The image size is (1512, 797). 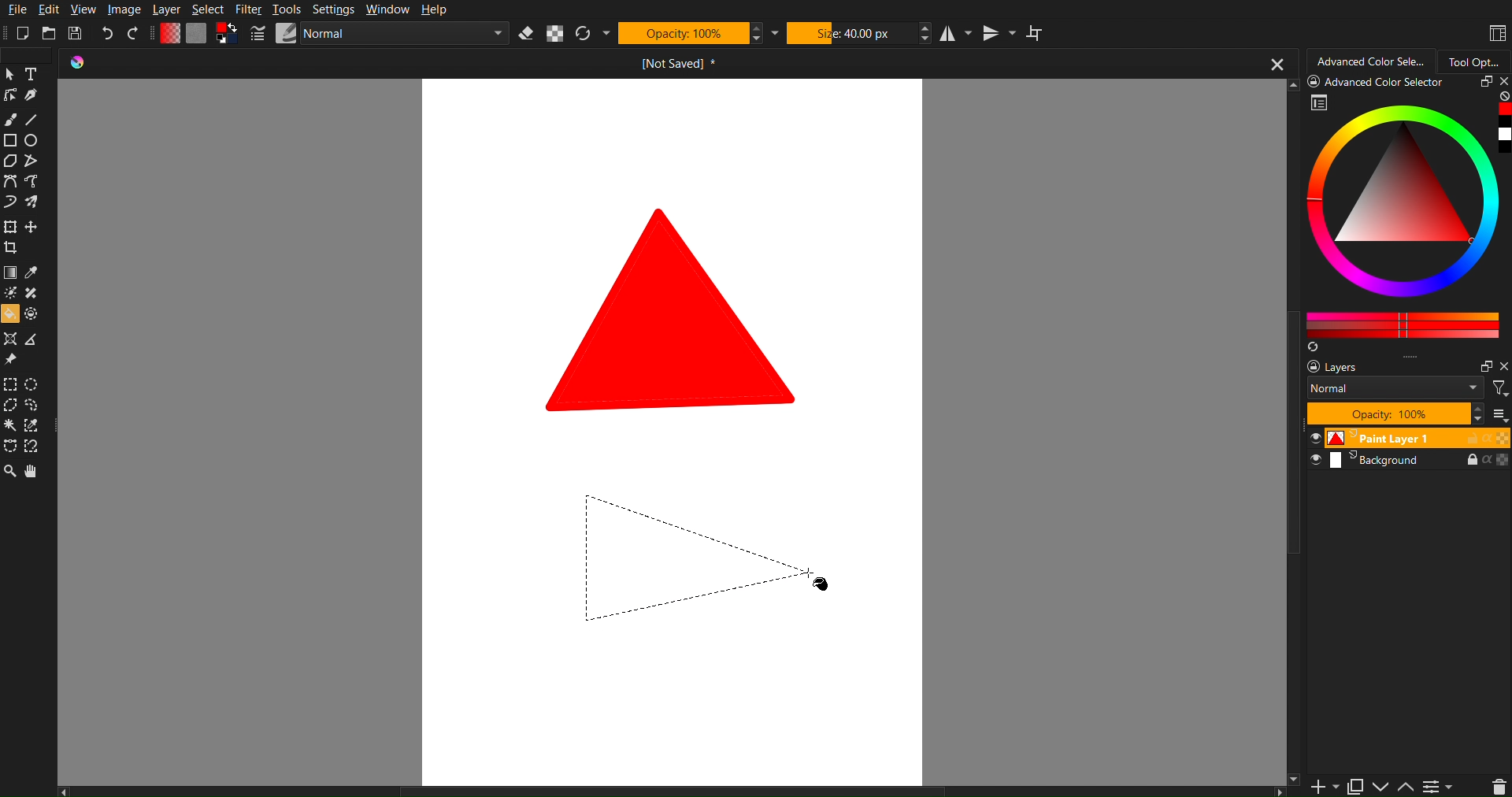 I want to click on Dropper, so click(x=32, y=274).